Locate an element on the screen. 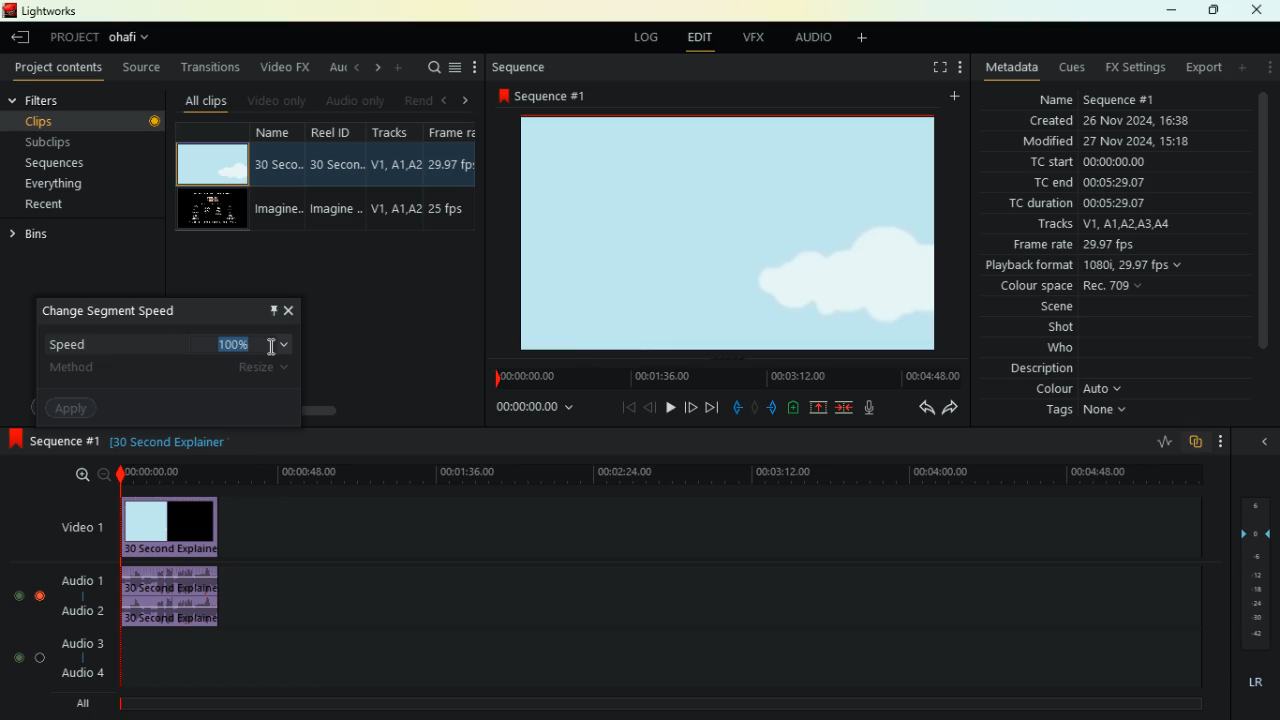  frame rate is located at coordinates (1075, 246).